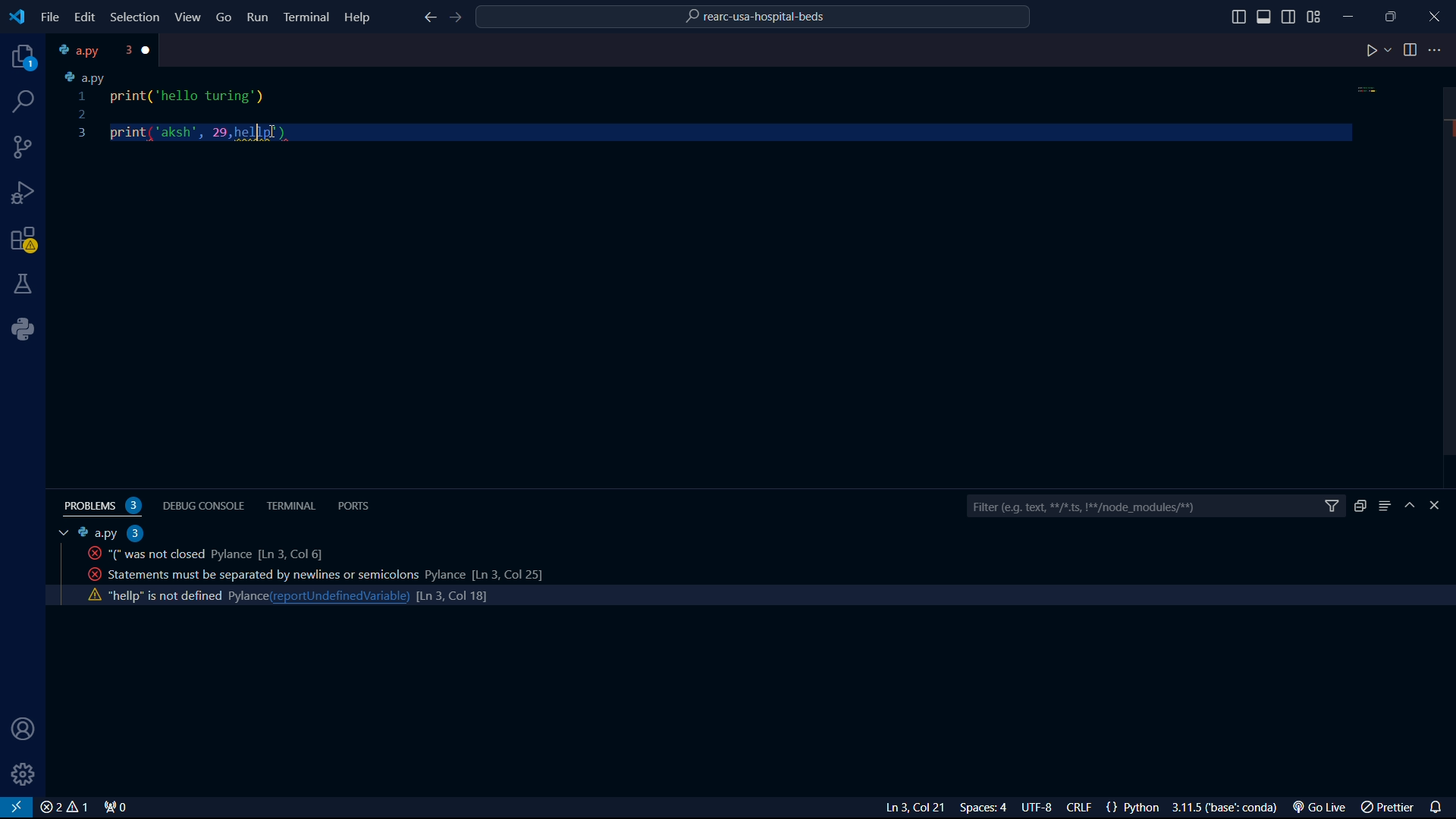 Image resolution: width=1456 pixels, height=819 pixels. I want to click on a.py 2, so click(111, 532).